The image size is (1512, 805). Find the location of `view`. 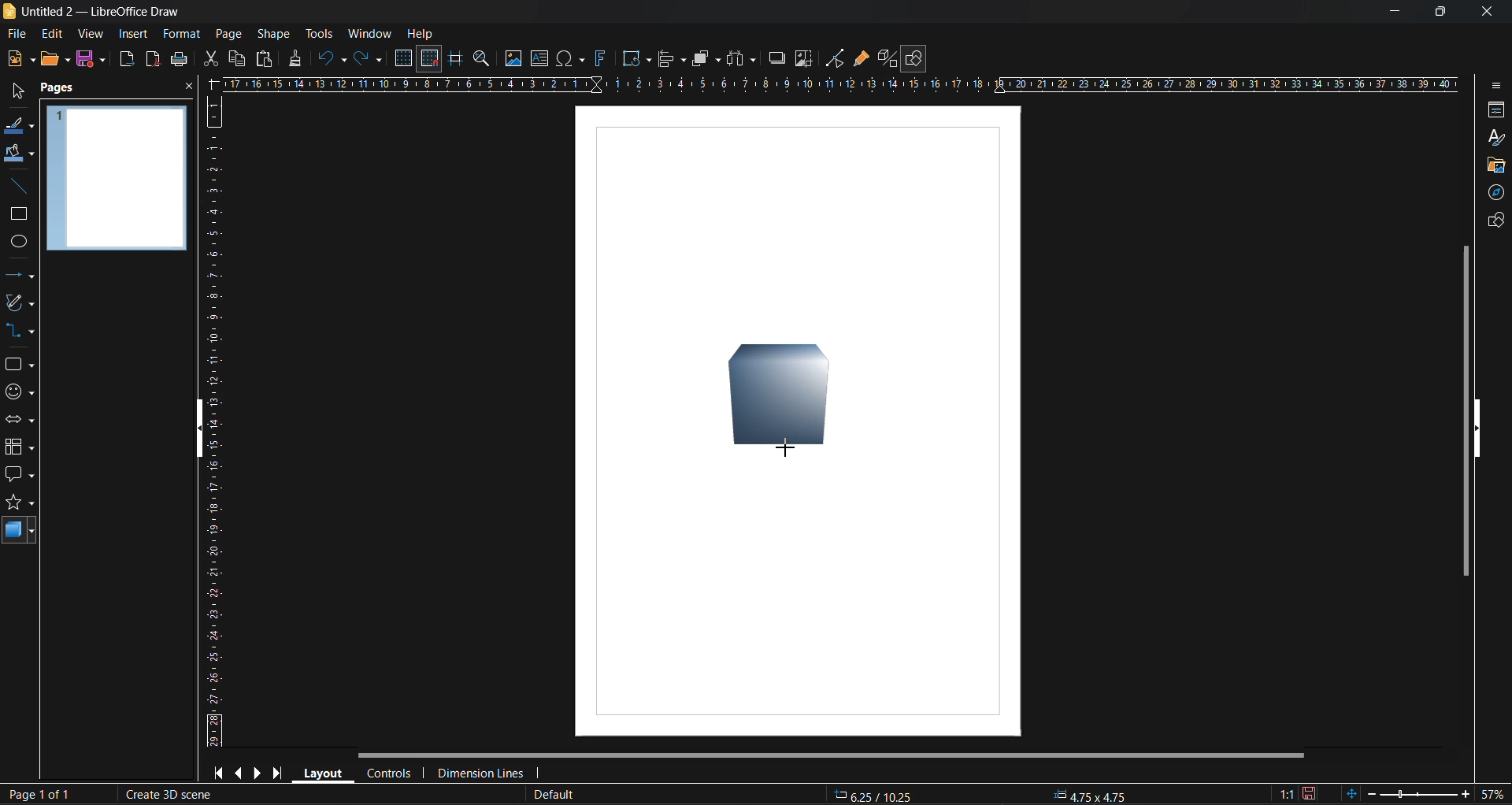

view is located at coordinates (92, 35).